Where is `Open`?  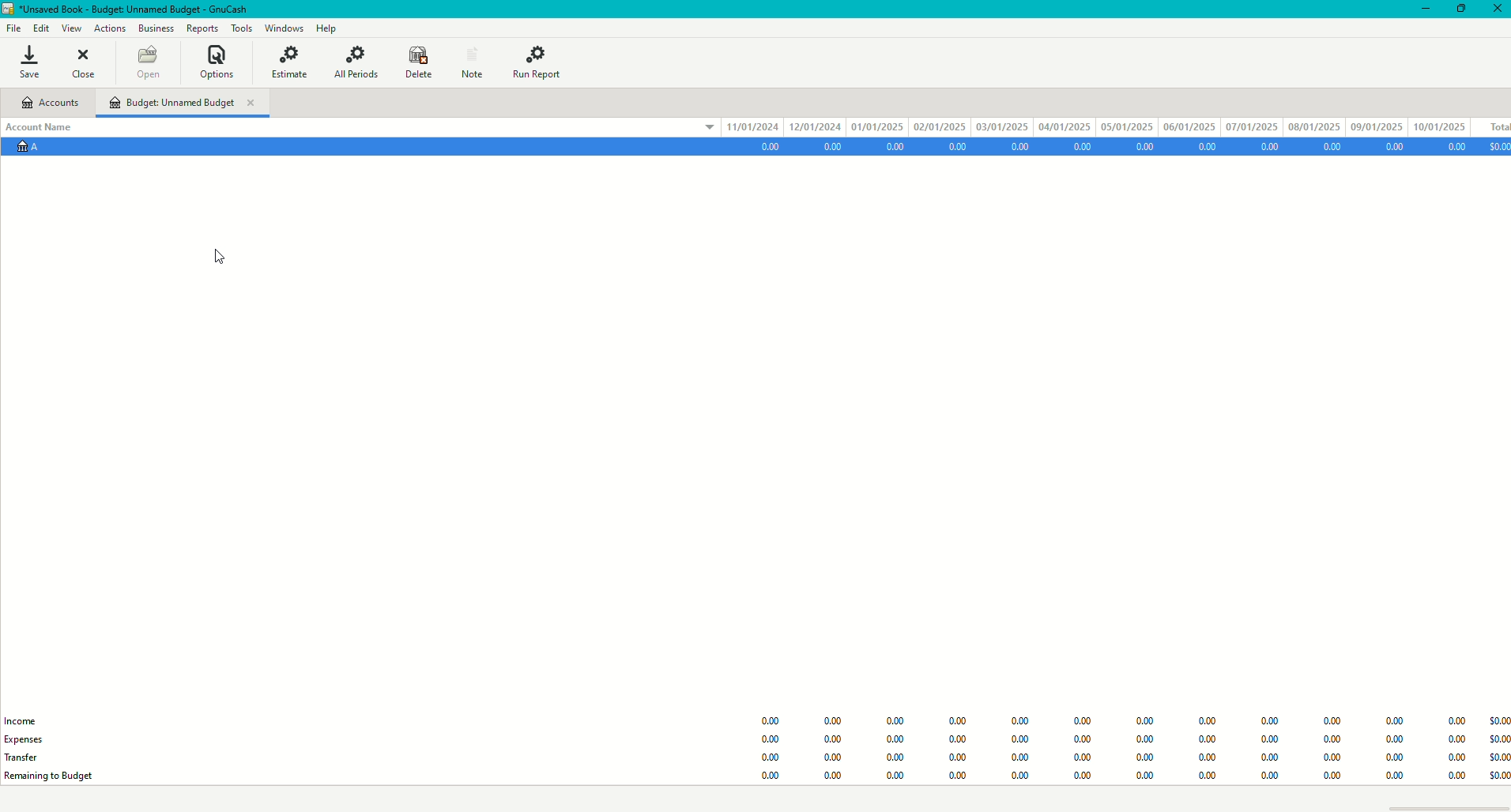
Open is located at coordinates (150, 62).